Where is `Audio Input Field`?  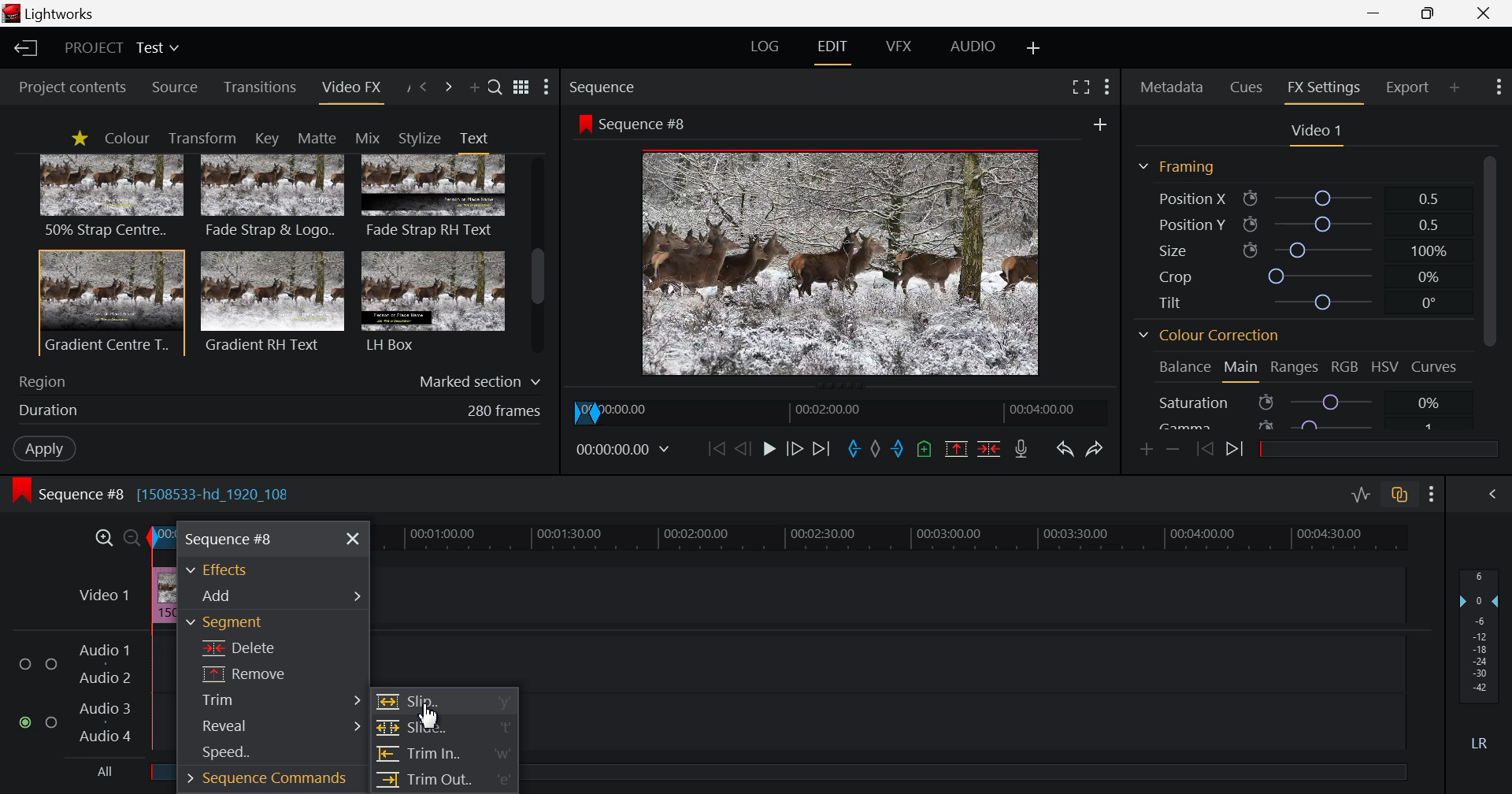 Audio Input Field is located at coordinates (973, 687).